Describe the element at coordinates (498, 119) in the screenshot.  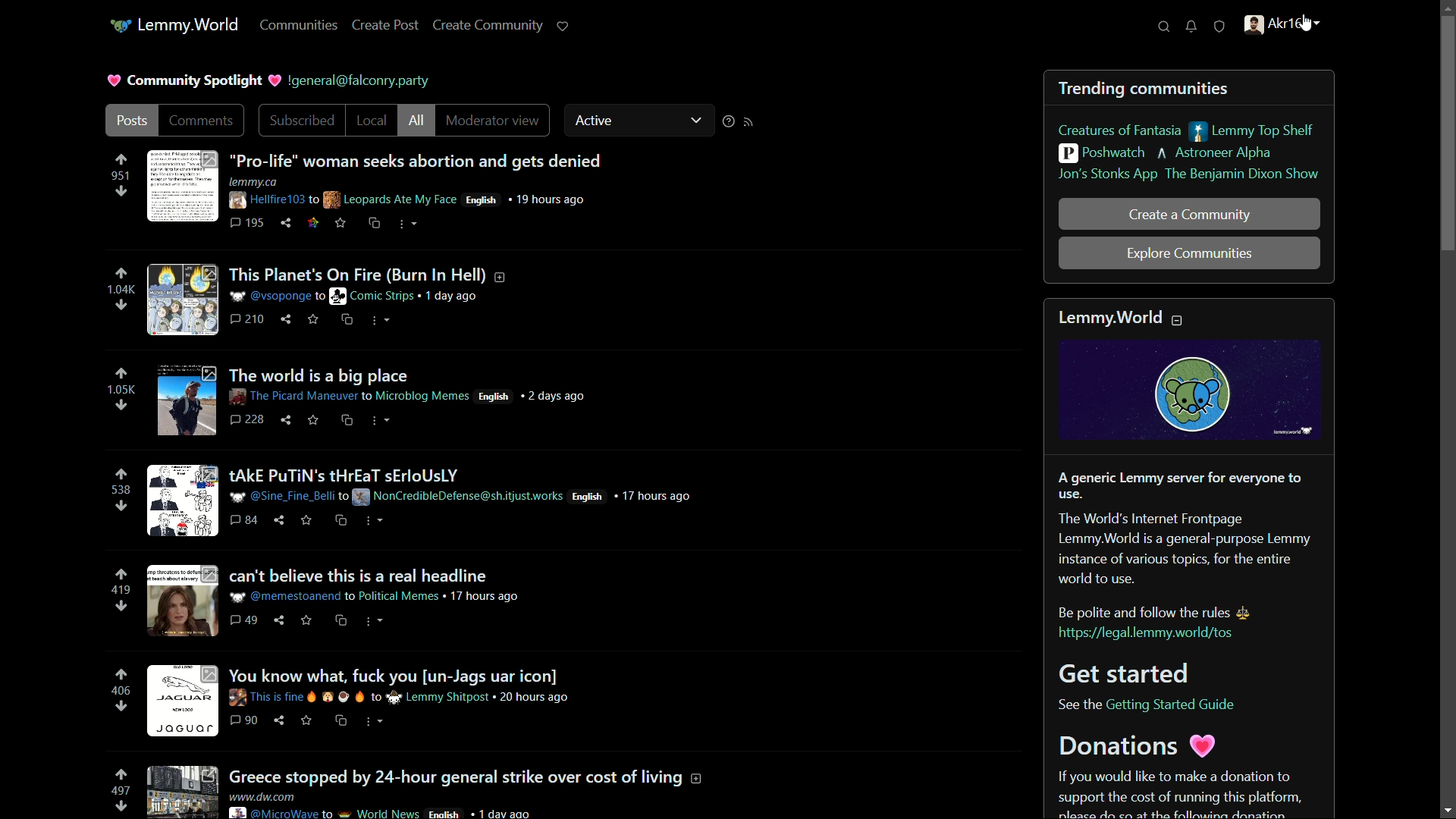
I see `moderator view` at that location.